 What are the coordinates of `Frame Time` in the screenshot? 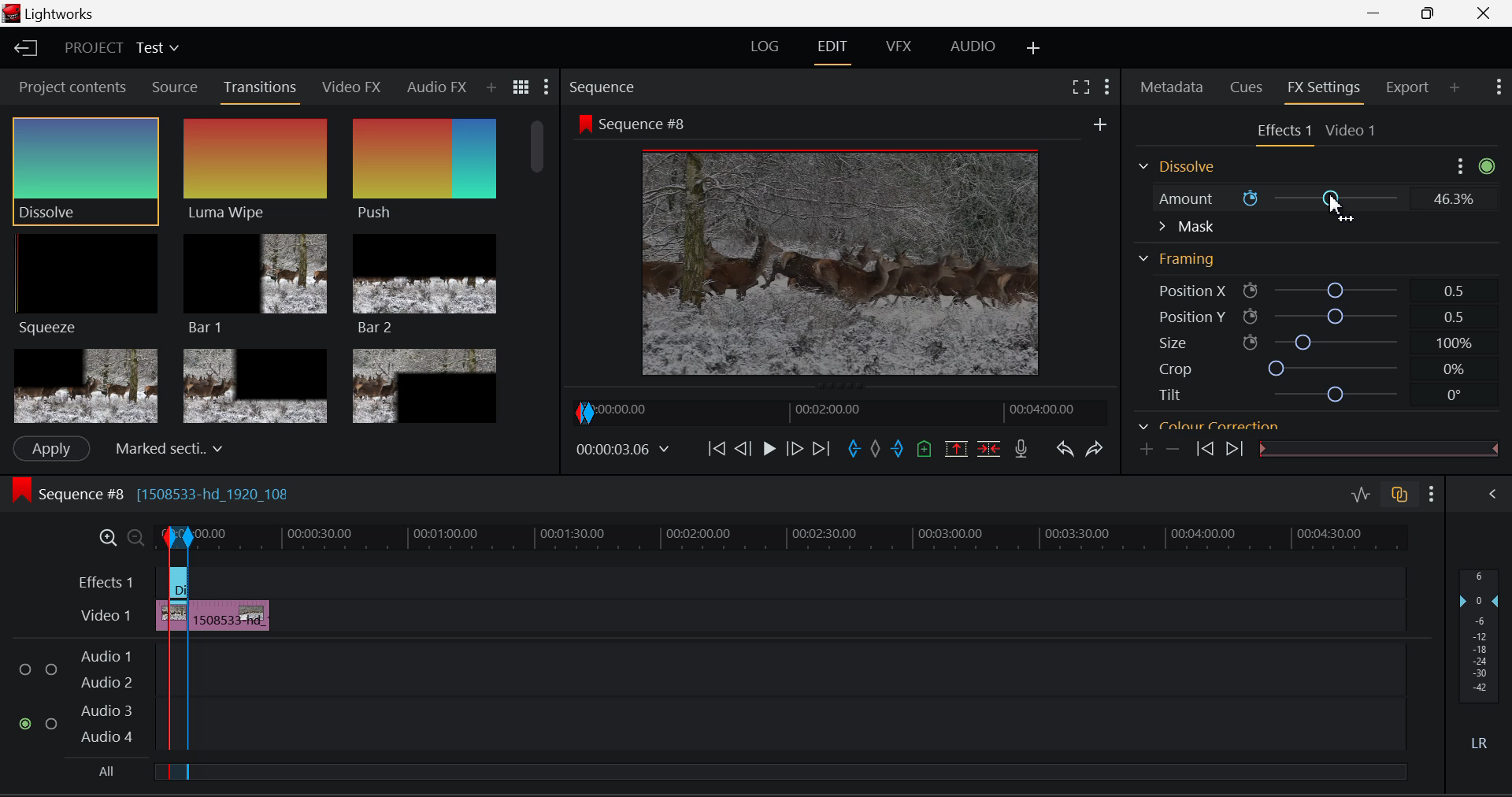 It's located at (622, 449).